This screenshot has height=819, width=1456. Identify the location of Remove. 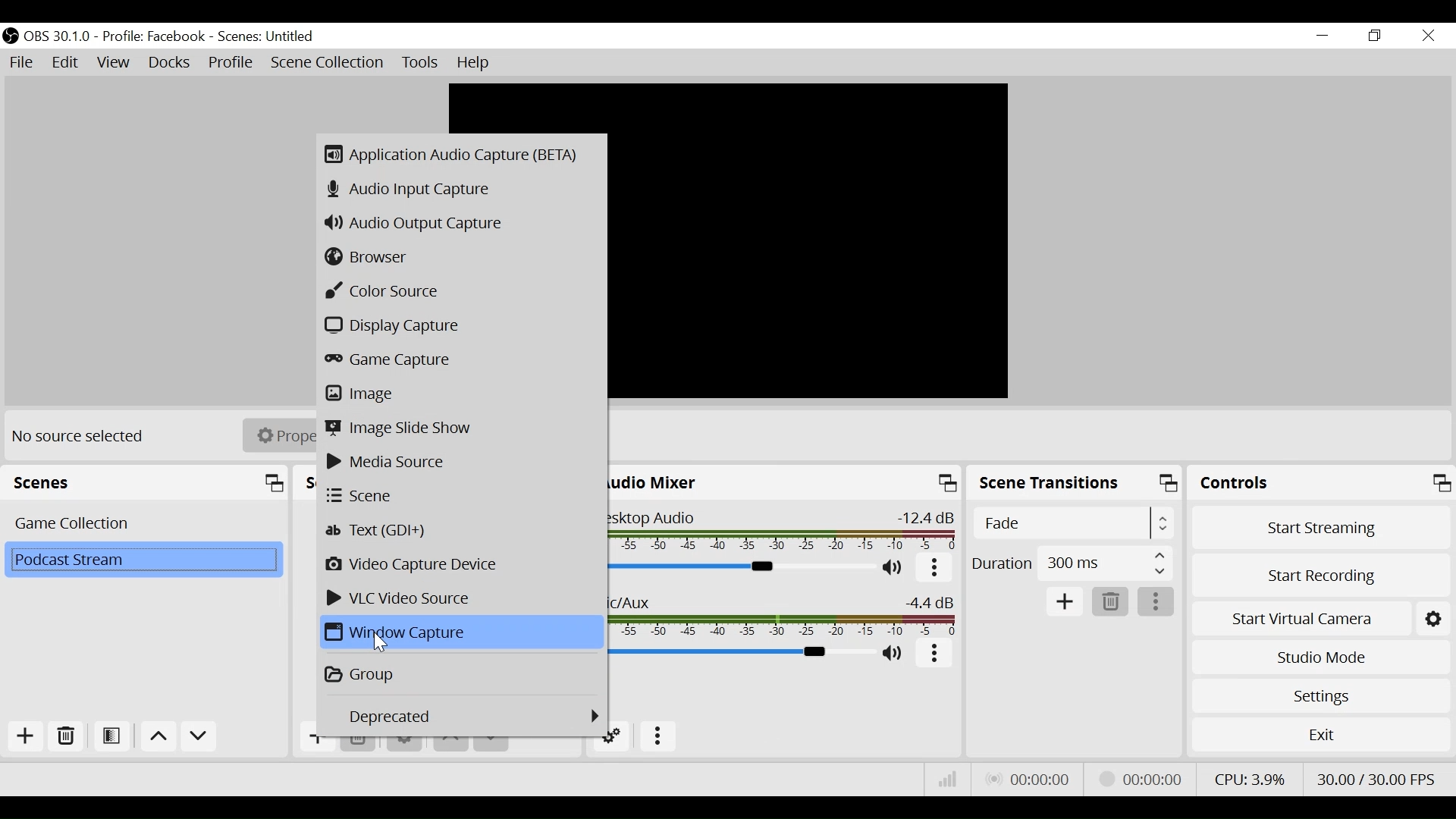
(64, 736).